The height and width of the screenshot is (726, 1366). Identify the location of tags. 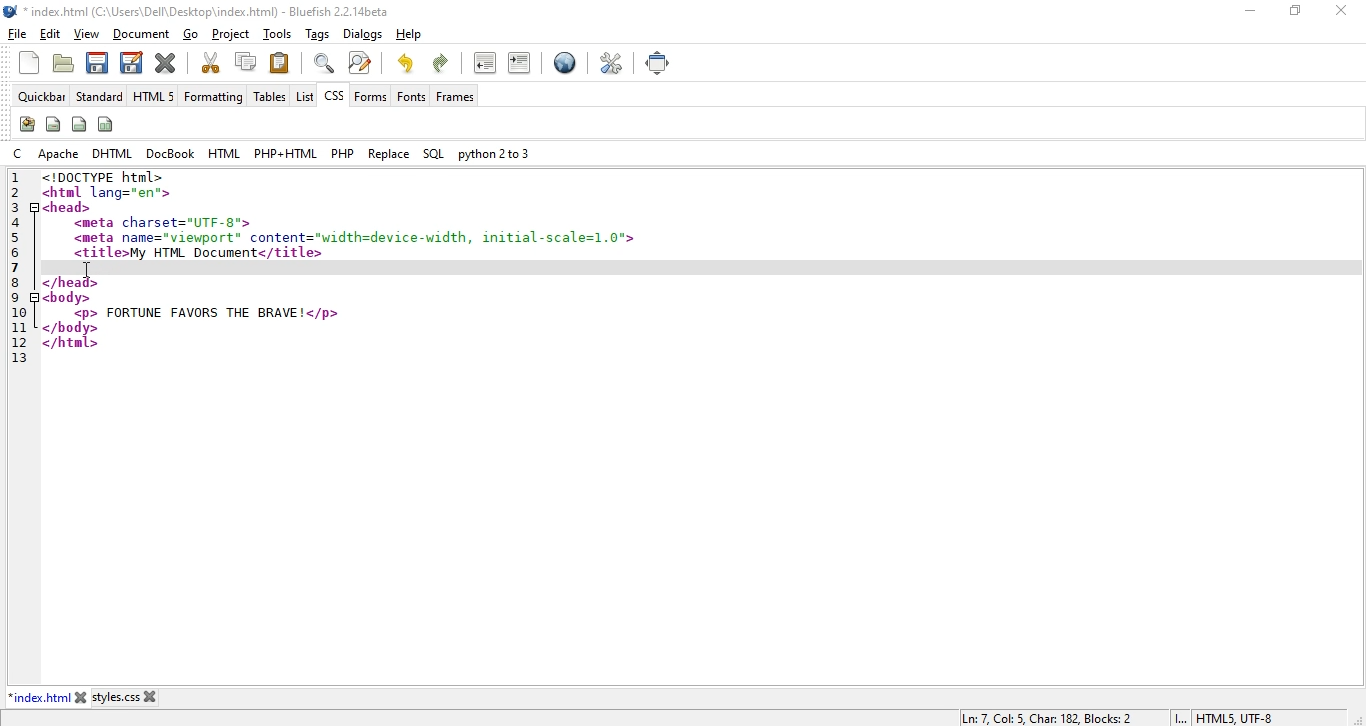
(319, 35).